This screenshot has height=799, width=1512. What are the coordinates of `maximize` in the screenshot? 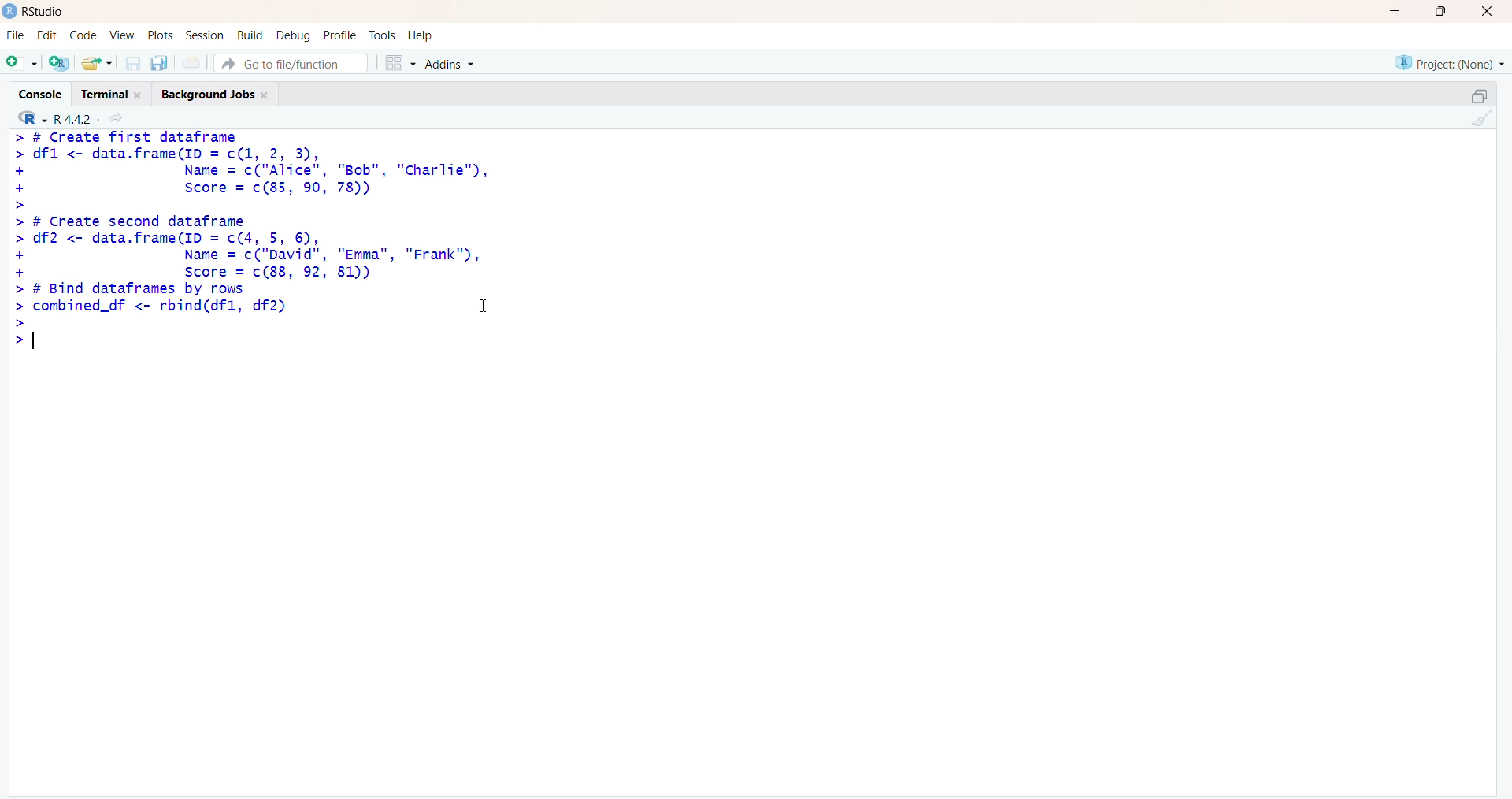 It's located at (1441, 11).